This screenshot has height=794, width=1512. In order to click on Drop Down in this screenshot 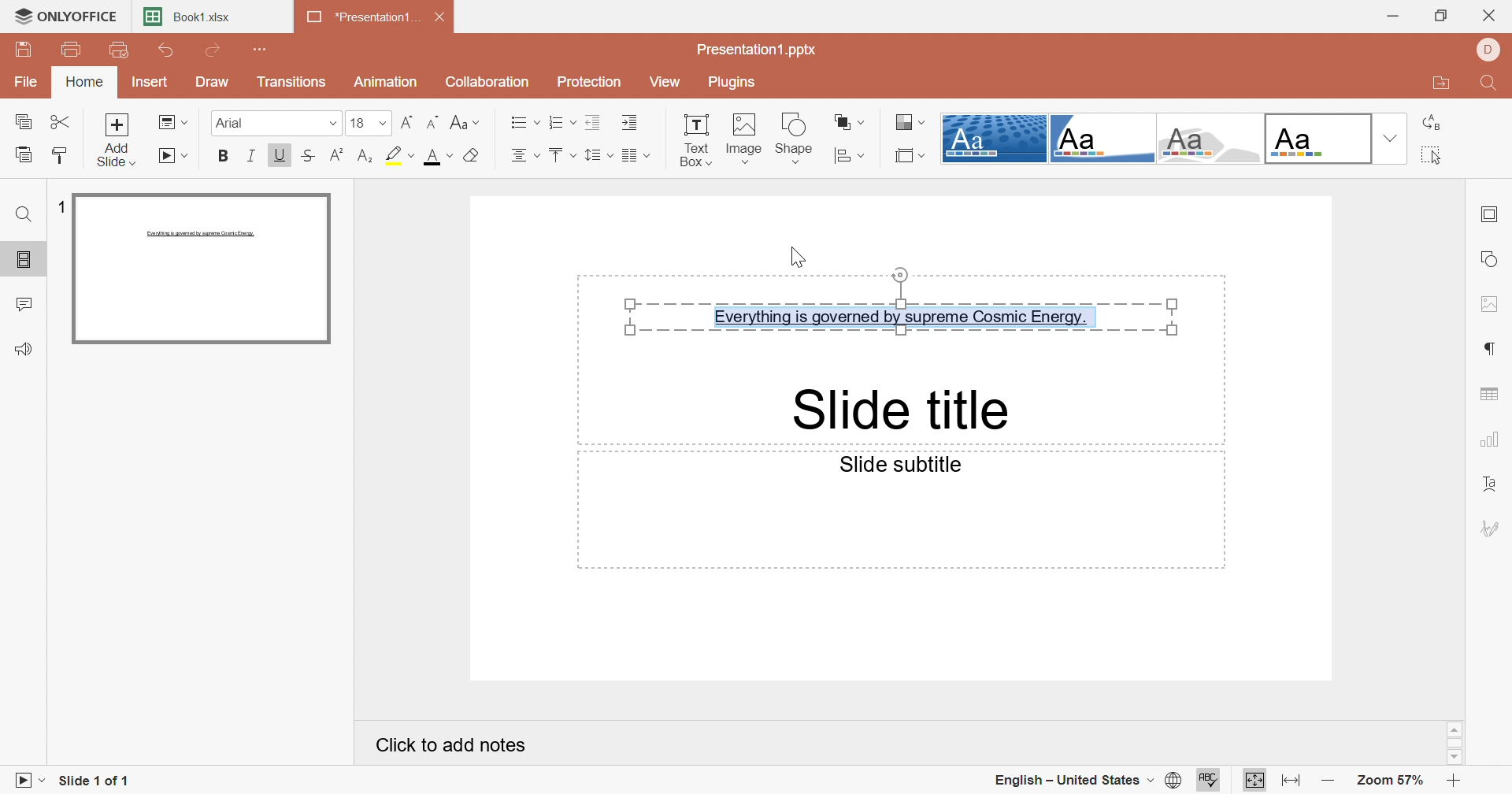, I will do `click(1392, 140)`.